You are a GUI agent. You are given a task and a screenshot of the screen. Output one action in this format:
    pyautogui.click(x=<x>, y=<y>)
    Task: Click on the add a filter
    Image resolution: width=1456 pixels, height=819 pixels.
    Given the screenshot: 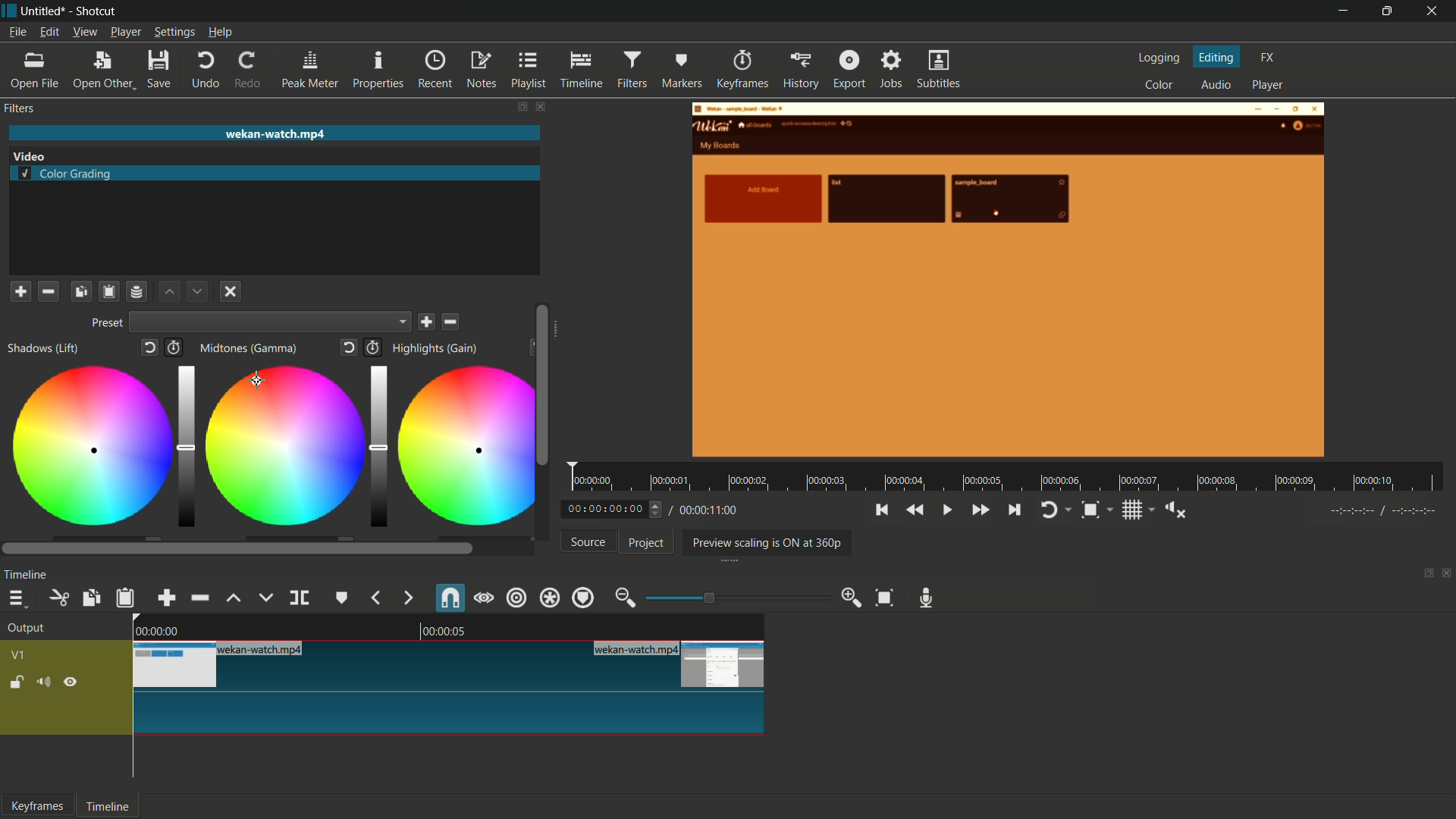 What is the action you would take?
    pyautogui.click(x=20, y=291)
    